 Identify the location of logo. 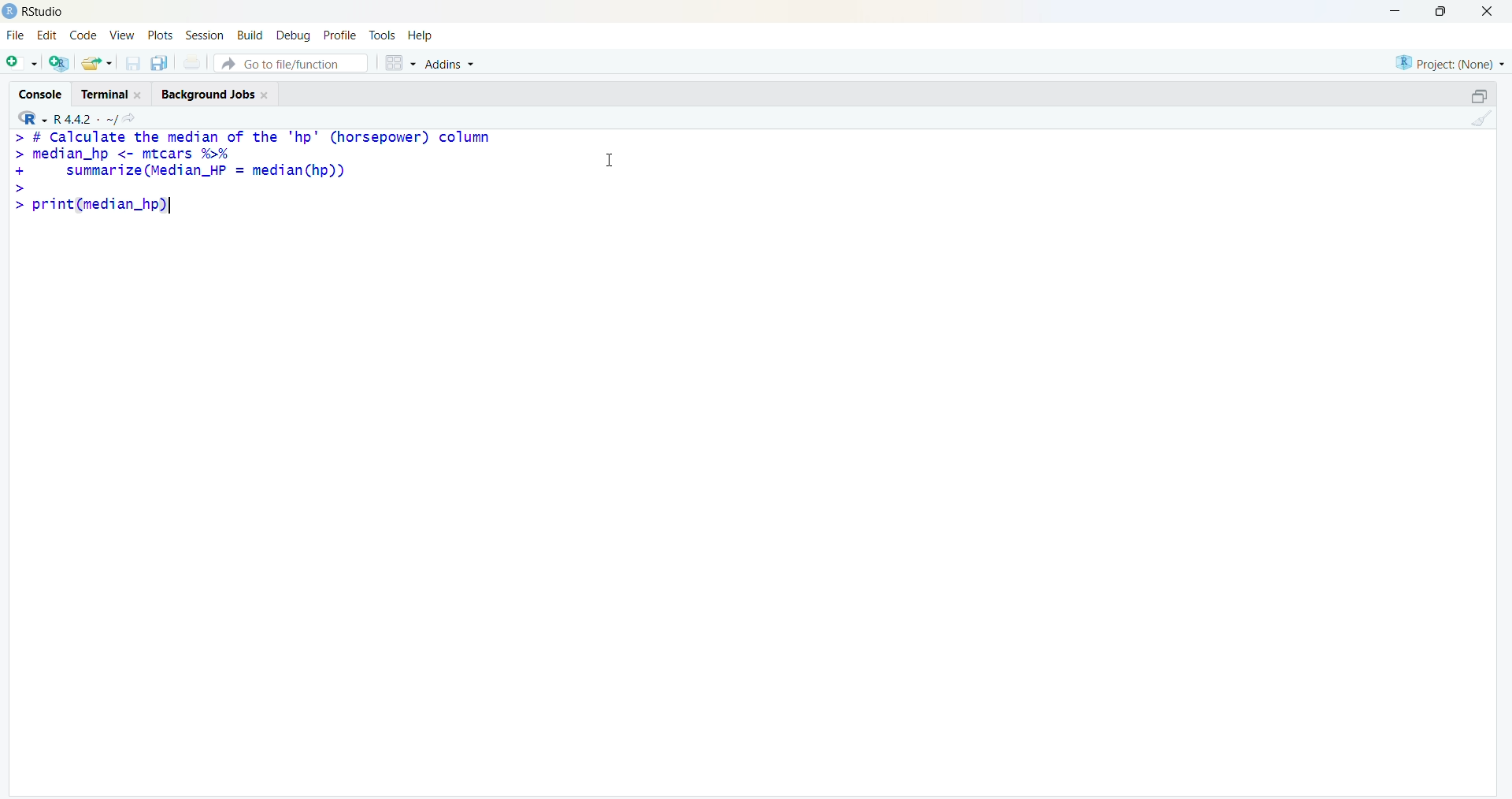
(9, 12).